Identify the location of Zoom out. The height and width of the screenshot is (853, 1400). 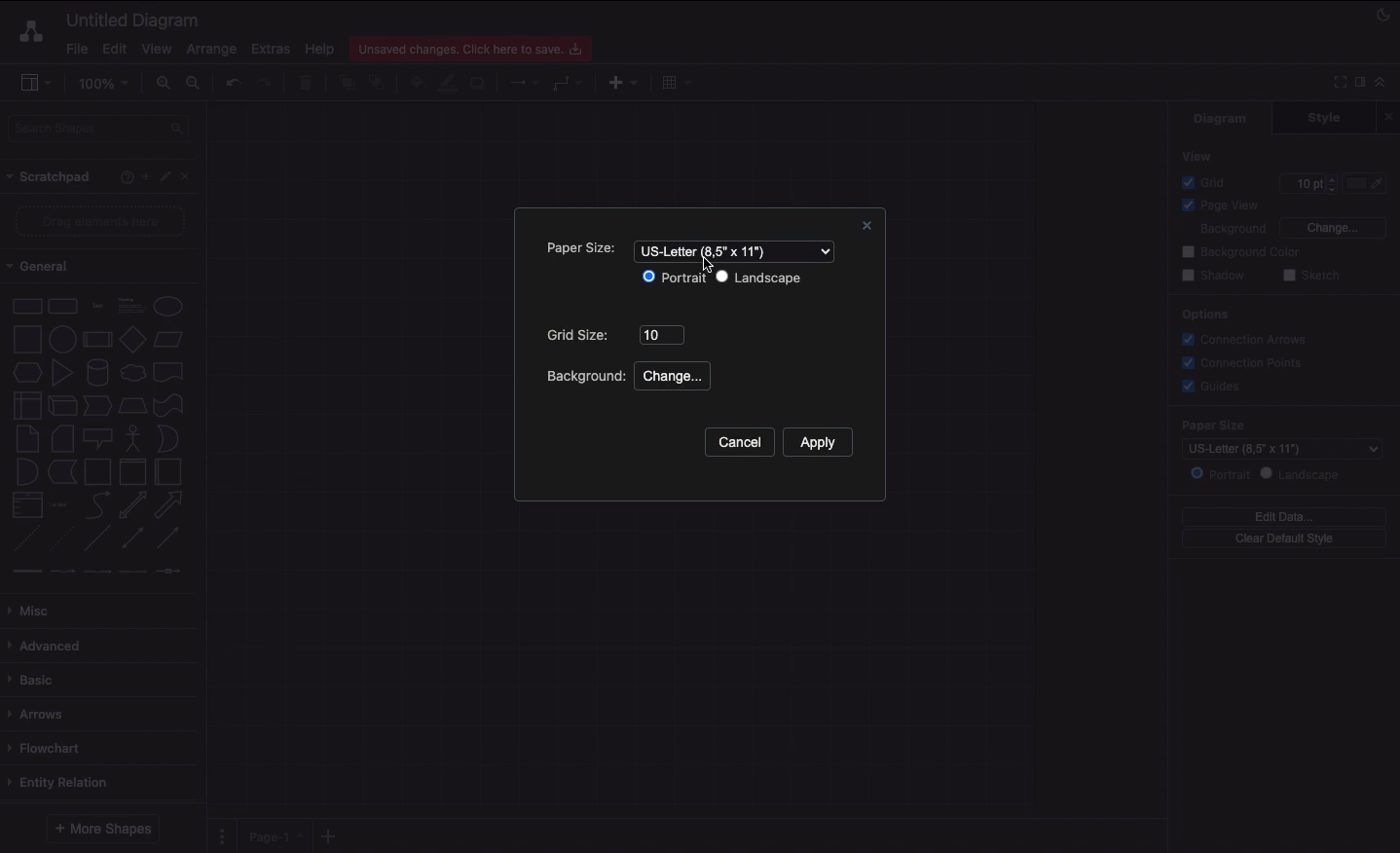
(196, 85).